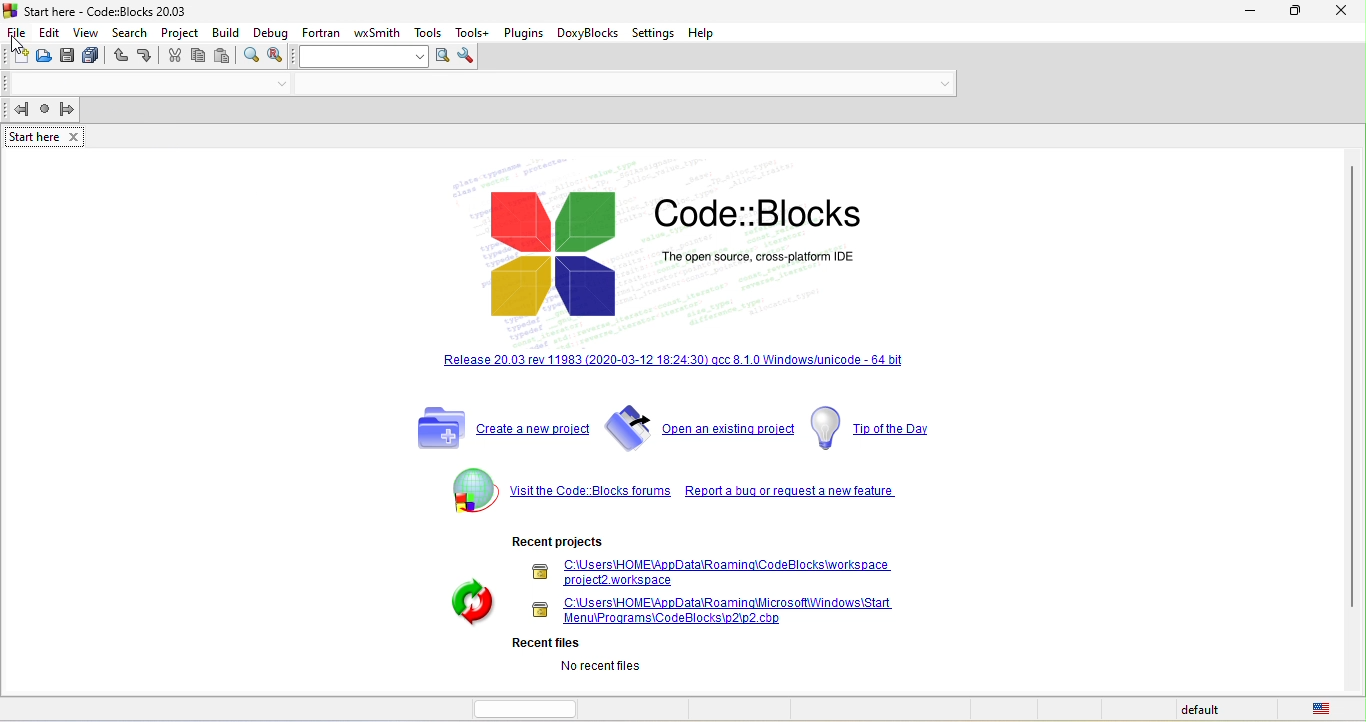 This screenshot has height=722, width=1366. Describe the element at coordinates (18, 110) in the screenshot. I see `jump back` at that location.